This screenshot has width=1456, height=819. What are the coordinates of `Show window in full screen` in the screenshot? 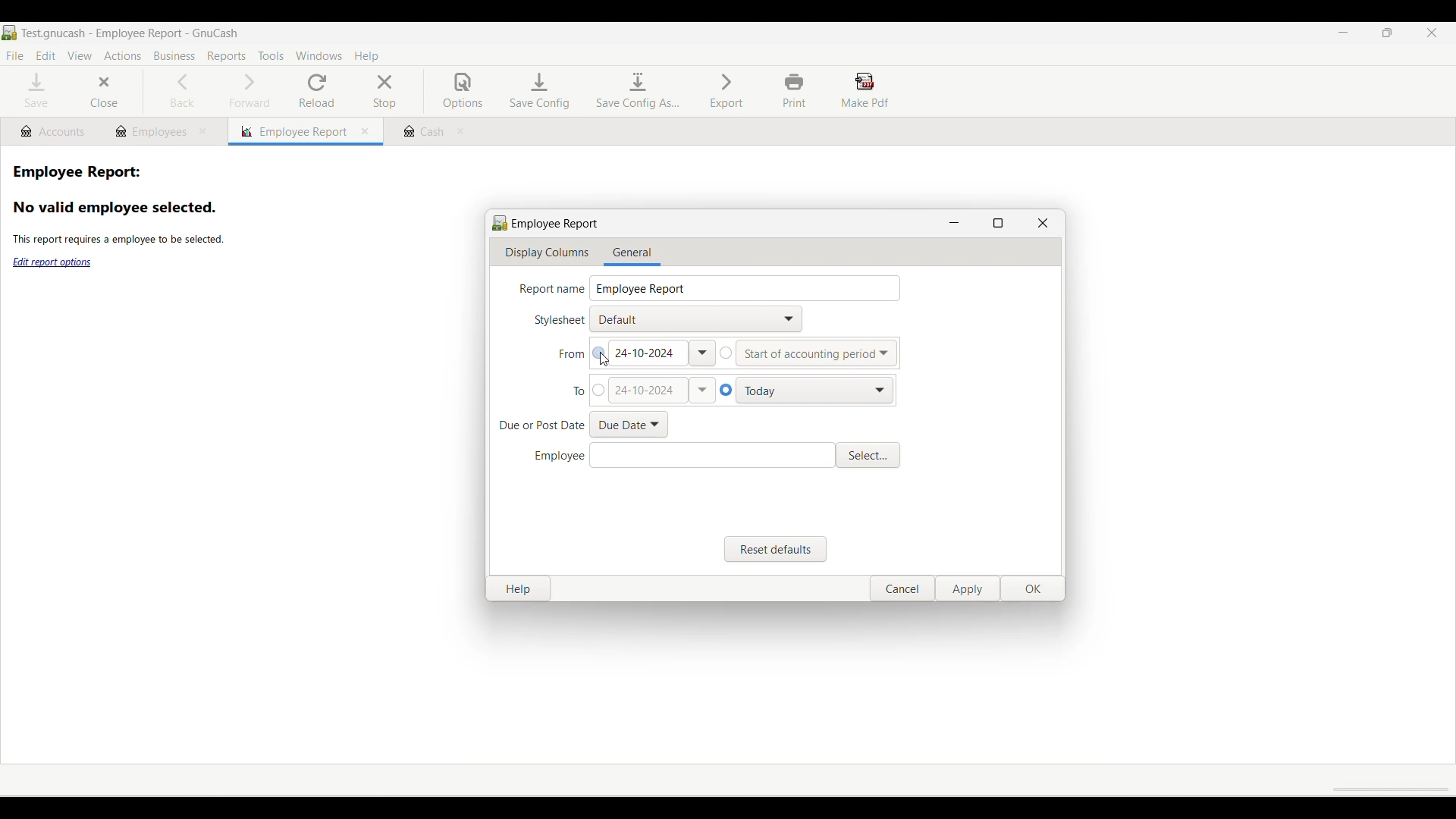 It's located at (997, 223).